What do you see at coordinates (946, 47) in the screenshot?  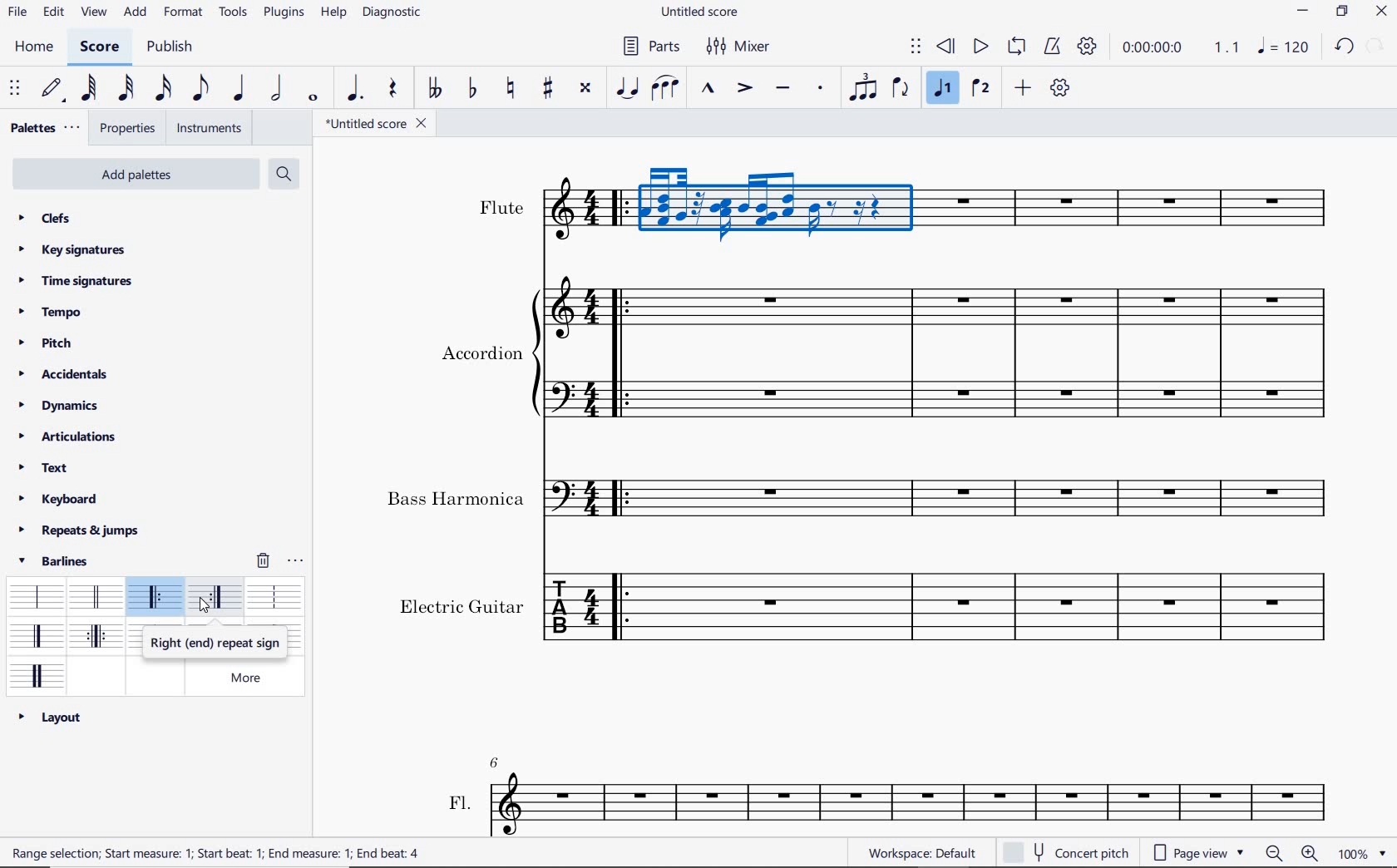 I see `rewind` at bounding box center [946, 47].